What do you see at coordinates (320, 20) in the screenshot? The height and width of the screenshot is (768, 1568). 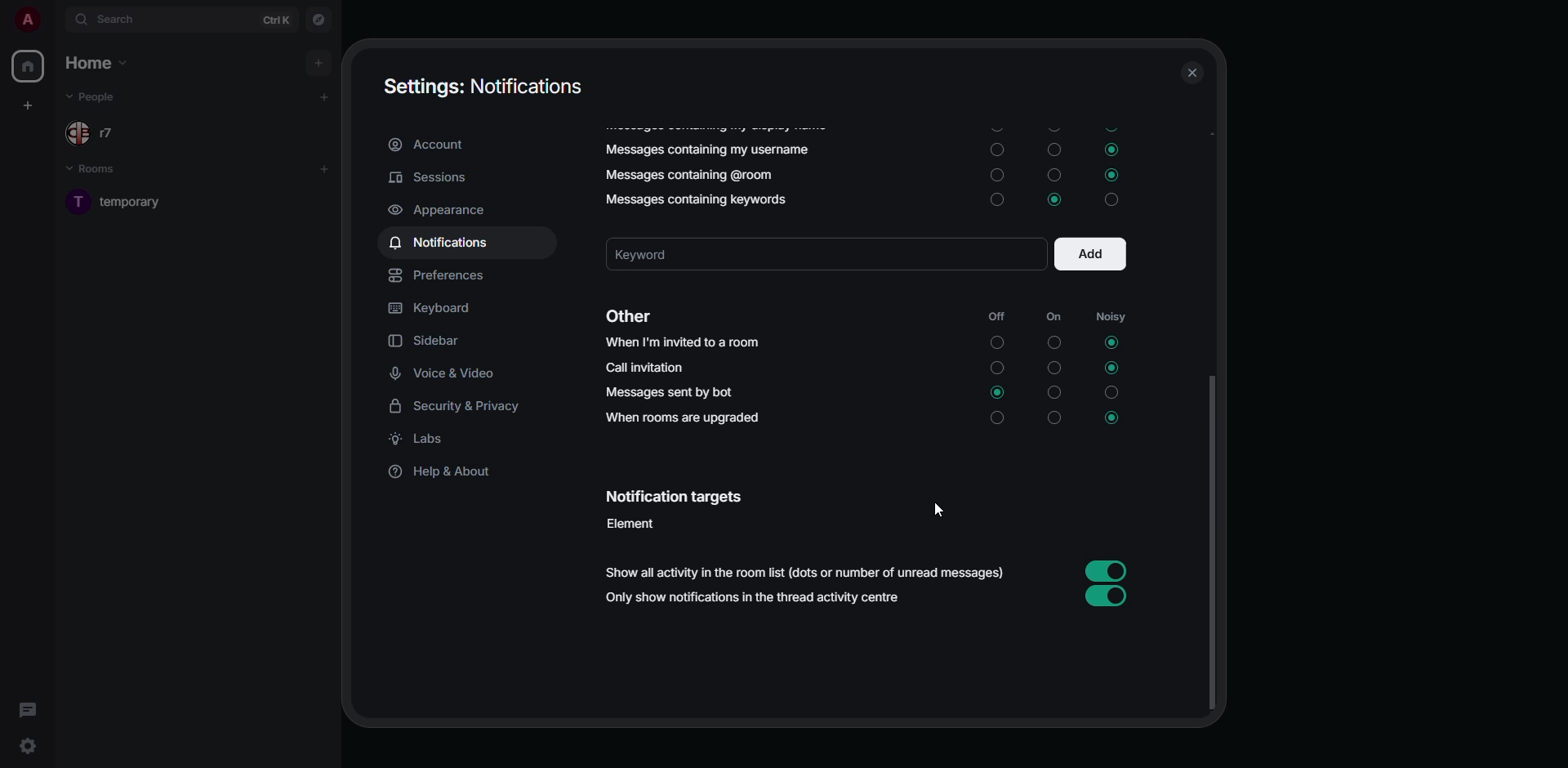 I see `navigator` at bounding box center [320, 20].